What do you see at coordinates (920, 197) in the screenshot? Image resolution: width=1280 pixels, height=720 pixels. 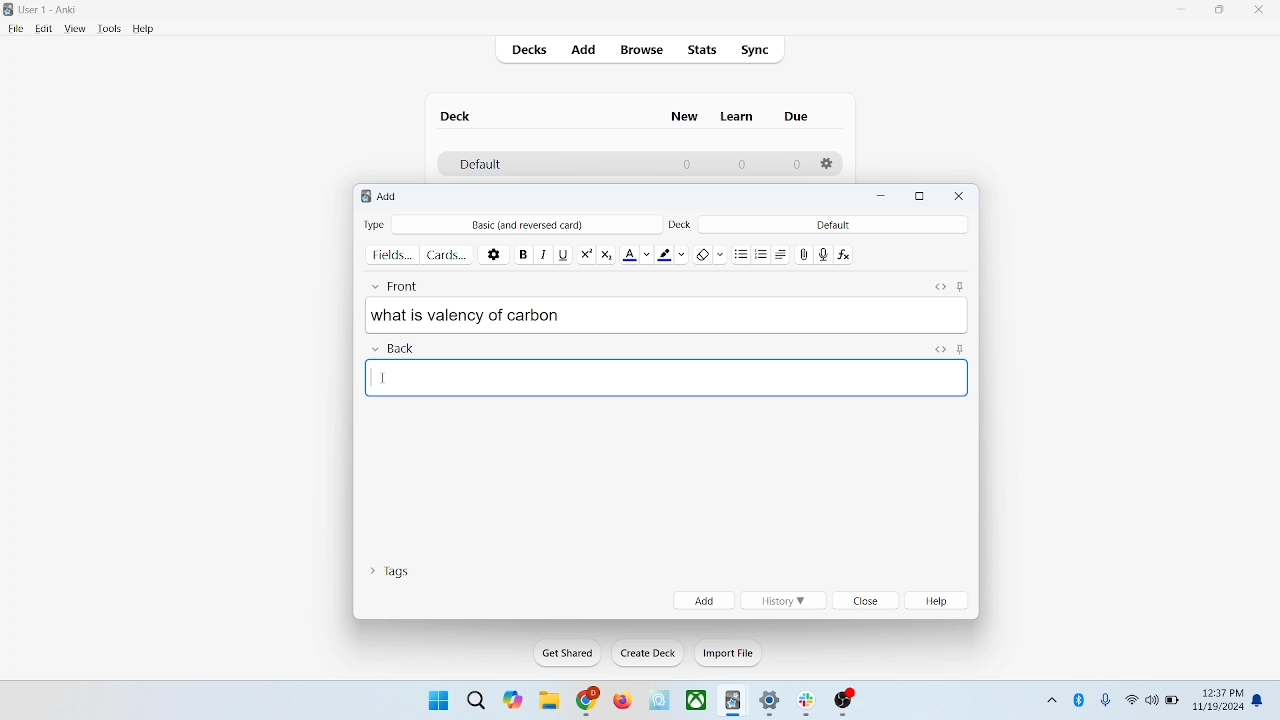 I see `maximize` at bounding box center [920, 197].